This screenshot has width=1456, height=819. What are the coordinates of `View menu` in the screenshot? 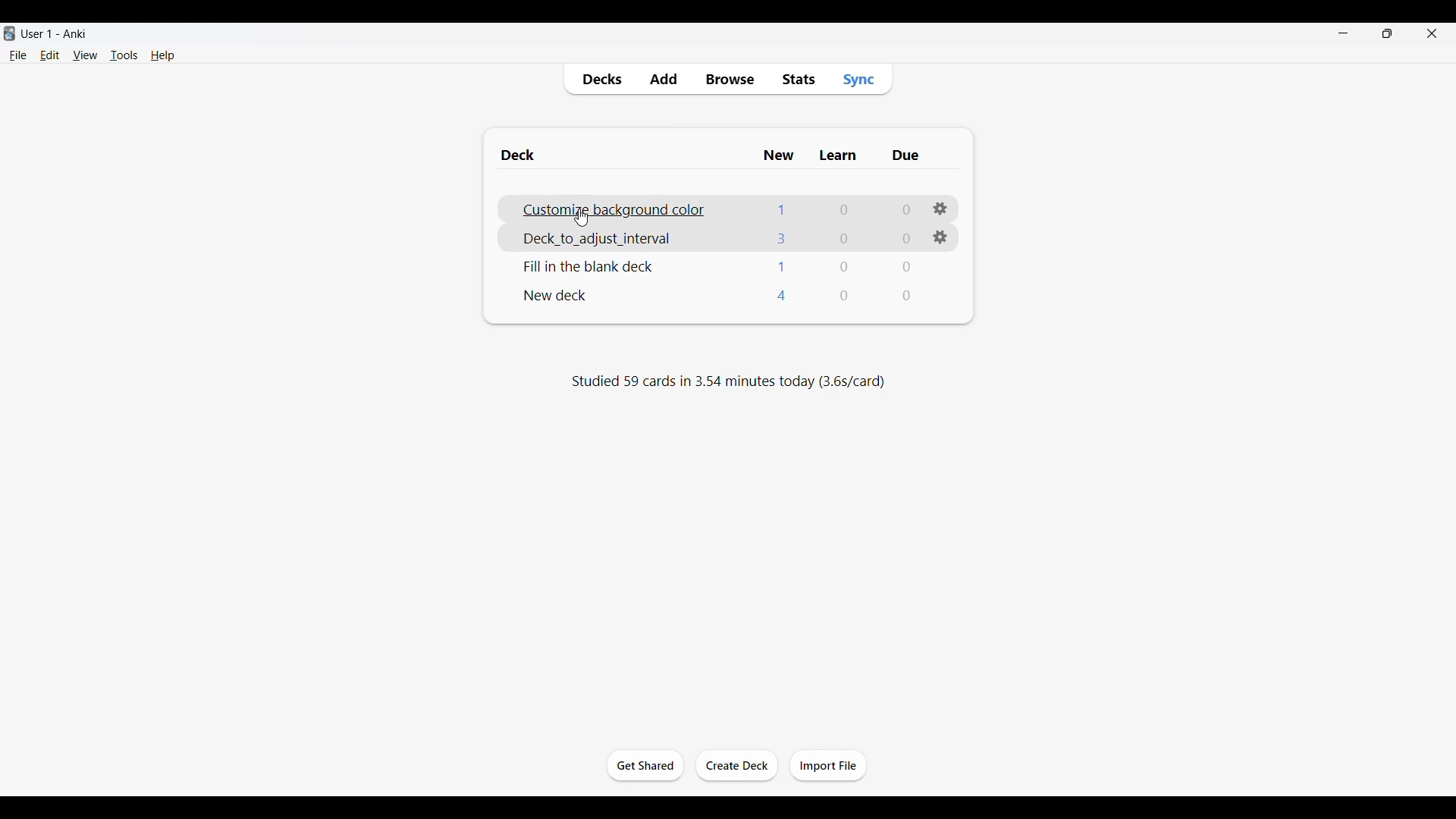 It's located at (86, 55).